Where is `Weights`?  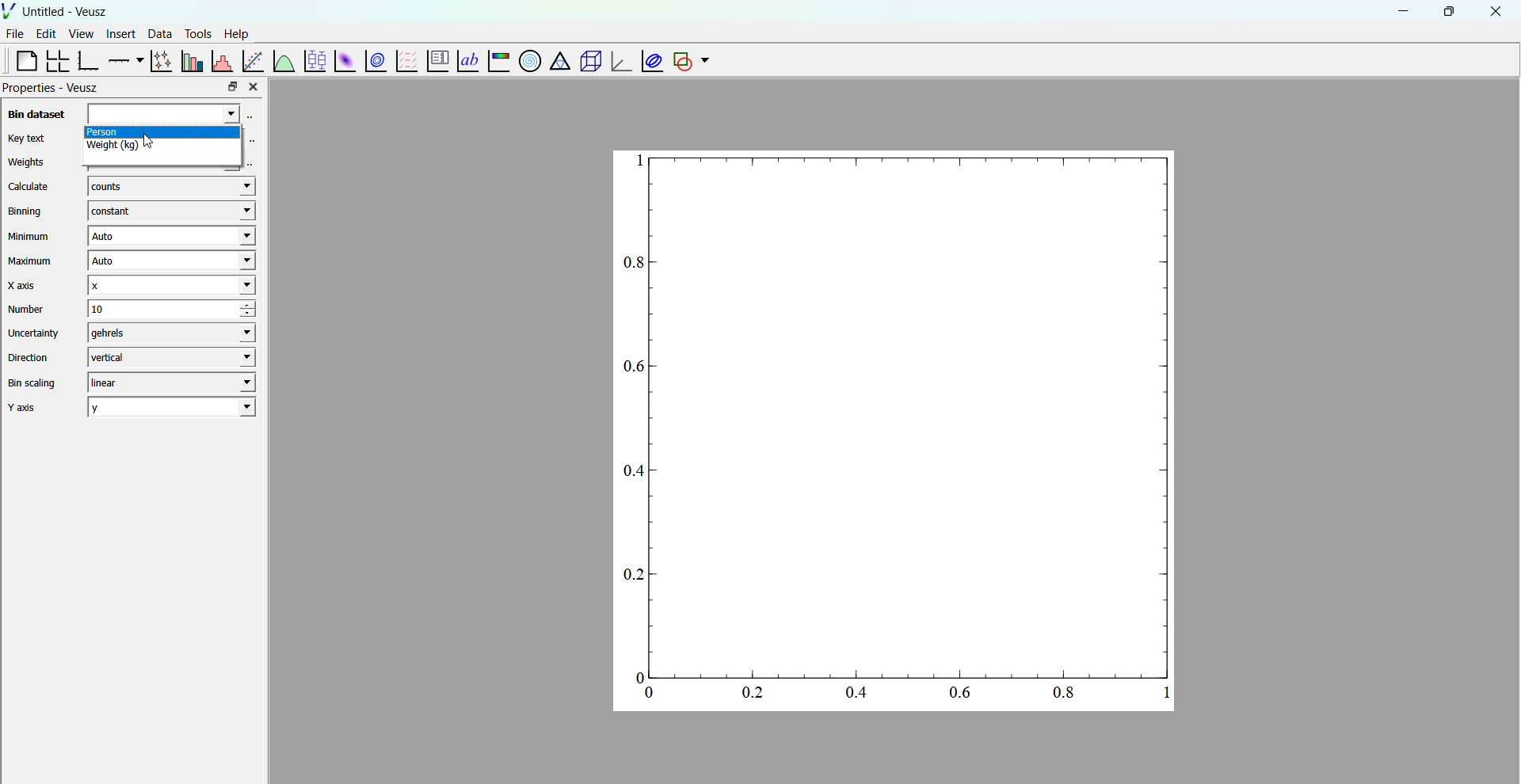 Weights is located at coordinates (26, 163).